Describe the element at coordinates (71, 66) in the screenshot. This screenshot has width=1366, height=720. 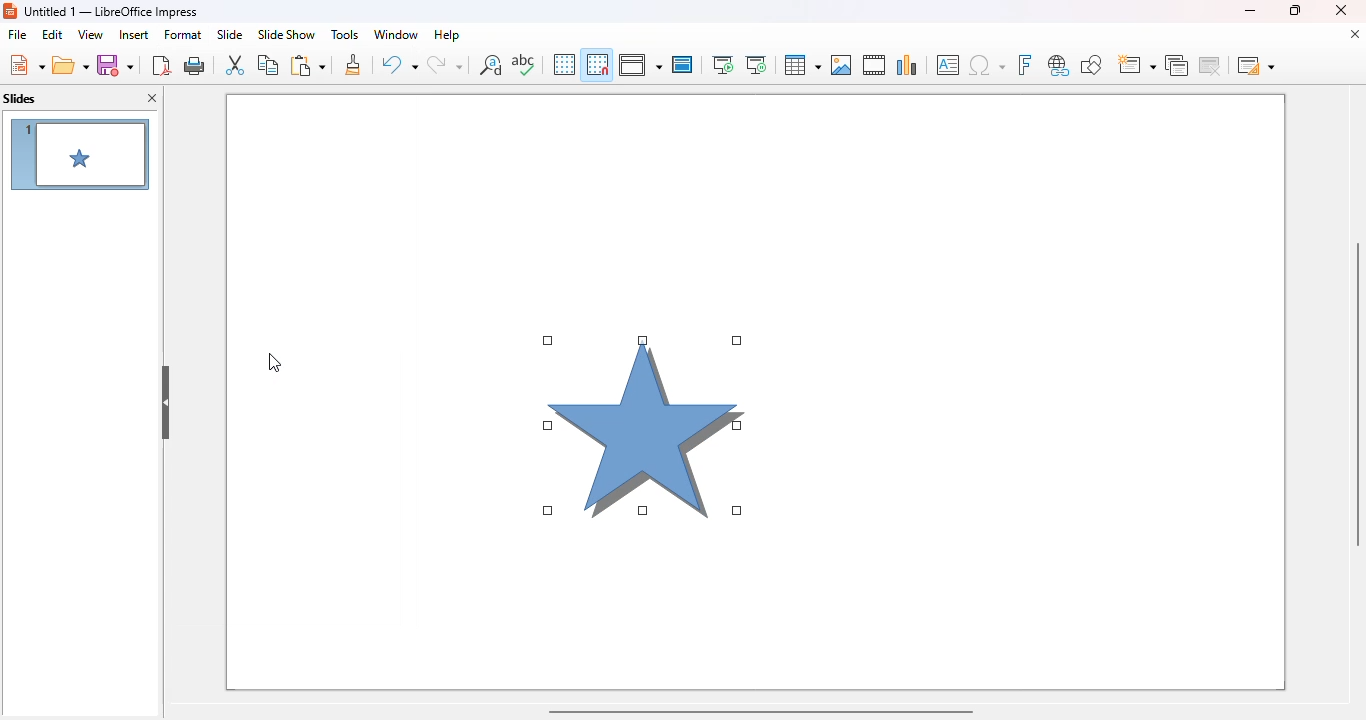
I see `open` at that location.